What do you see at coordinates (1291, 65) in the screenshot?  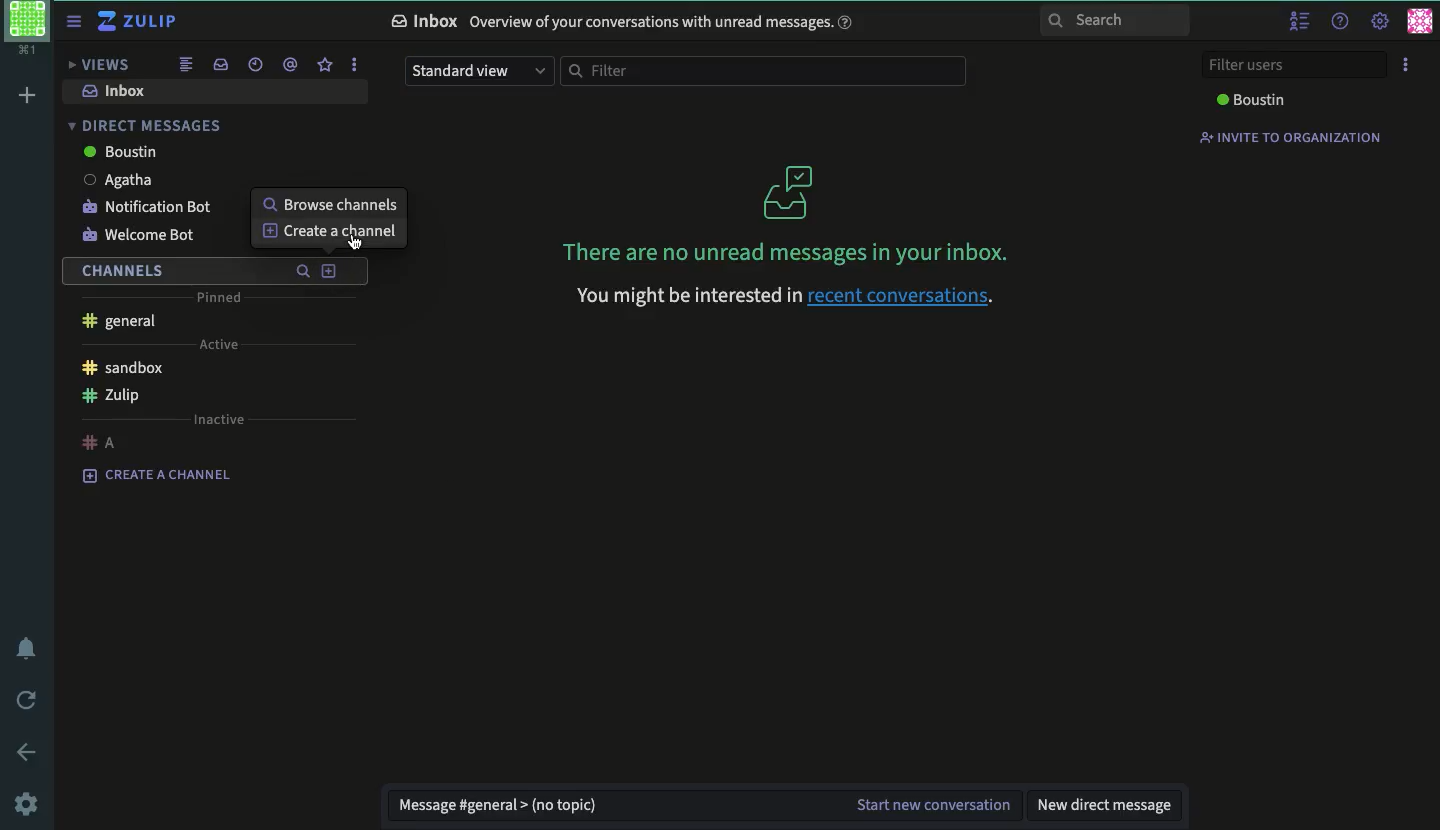 I see `filter users` at bounding box center [1291, 65].